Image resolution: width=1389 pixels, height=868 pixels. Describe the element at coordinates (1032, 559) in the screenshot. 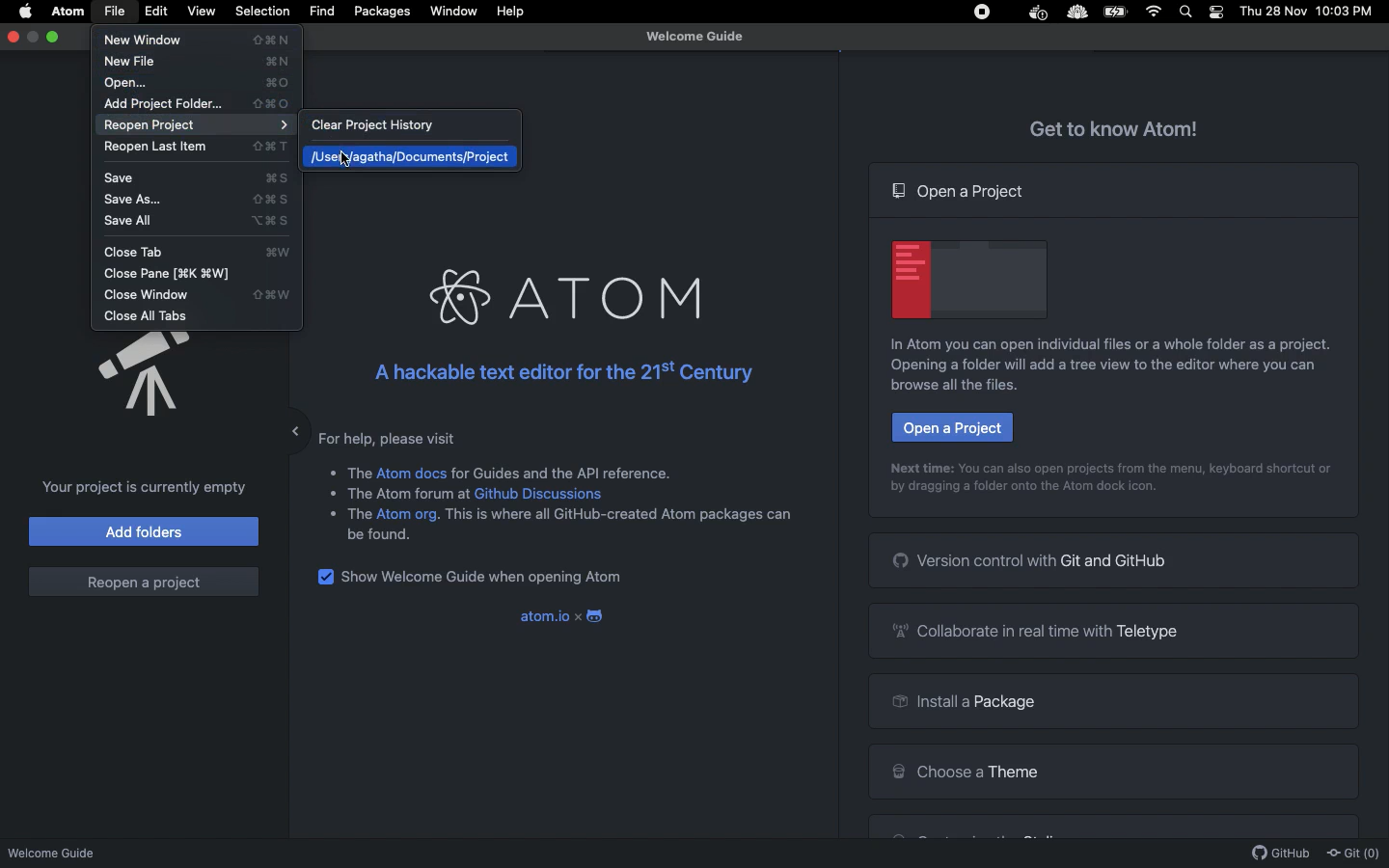

I see `Version control with Git and Github` at that location.